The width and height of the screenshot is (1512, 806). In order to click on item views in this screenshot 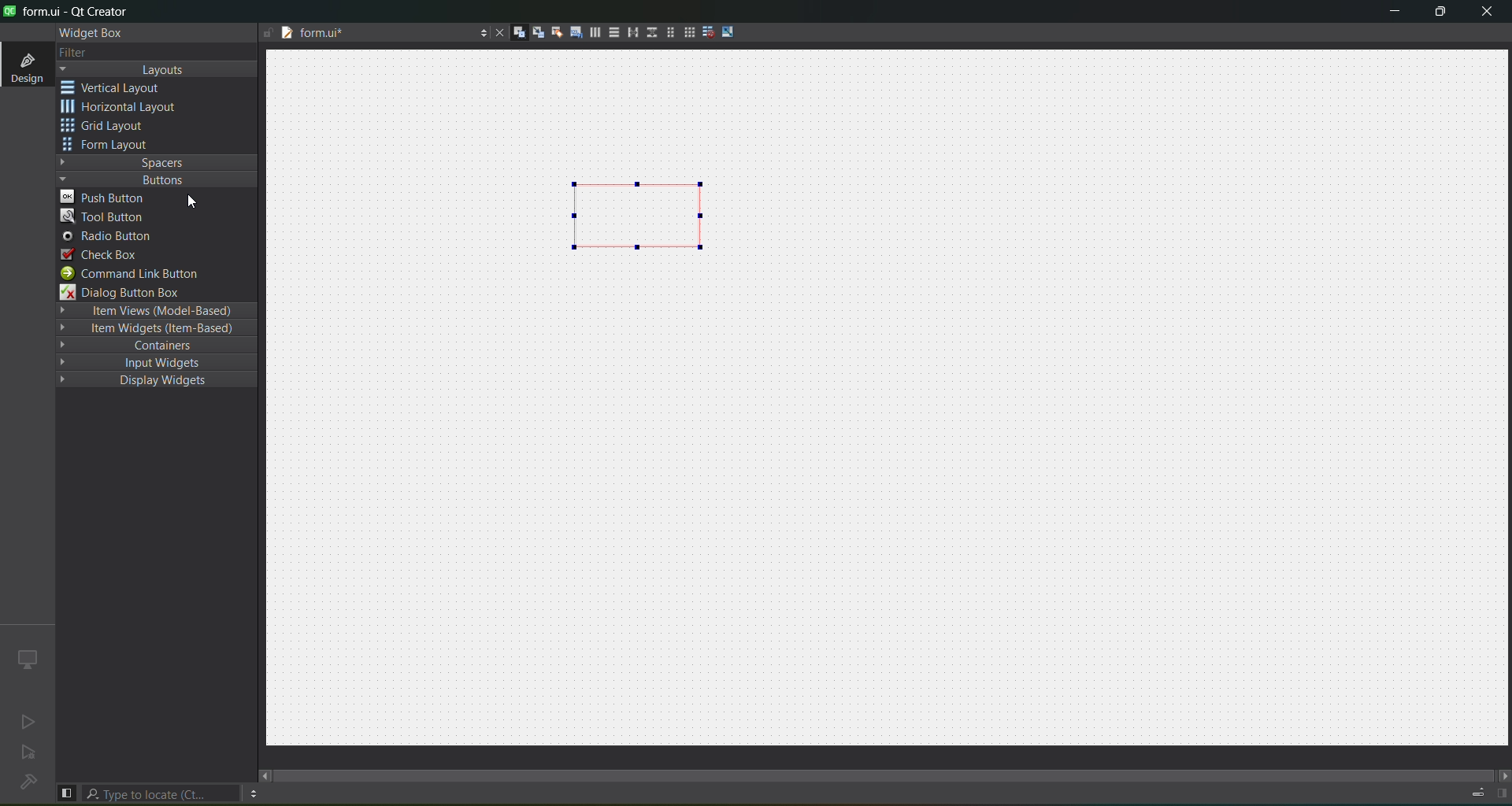, I will do `click(154, 310)`.